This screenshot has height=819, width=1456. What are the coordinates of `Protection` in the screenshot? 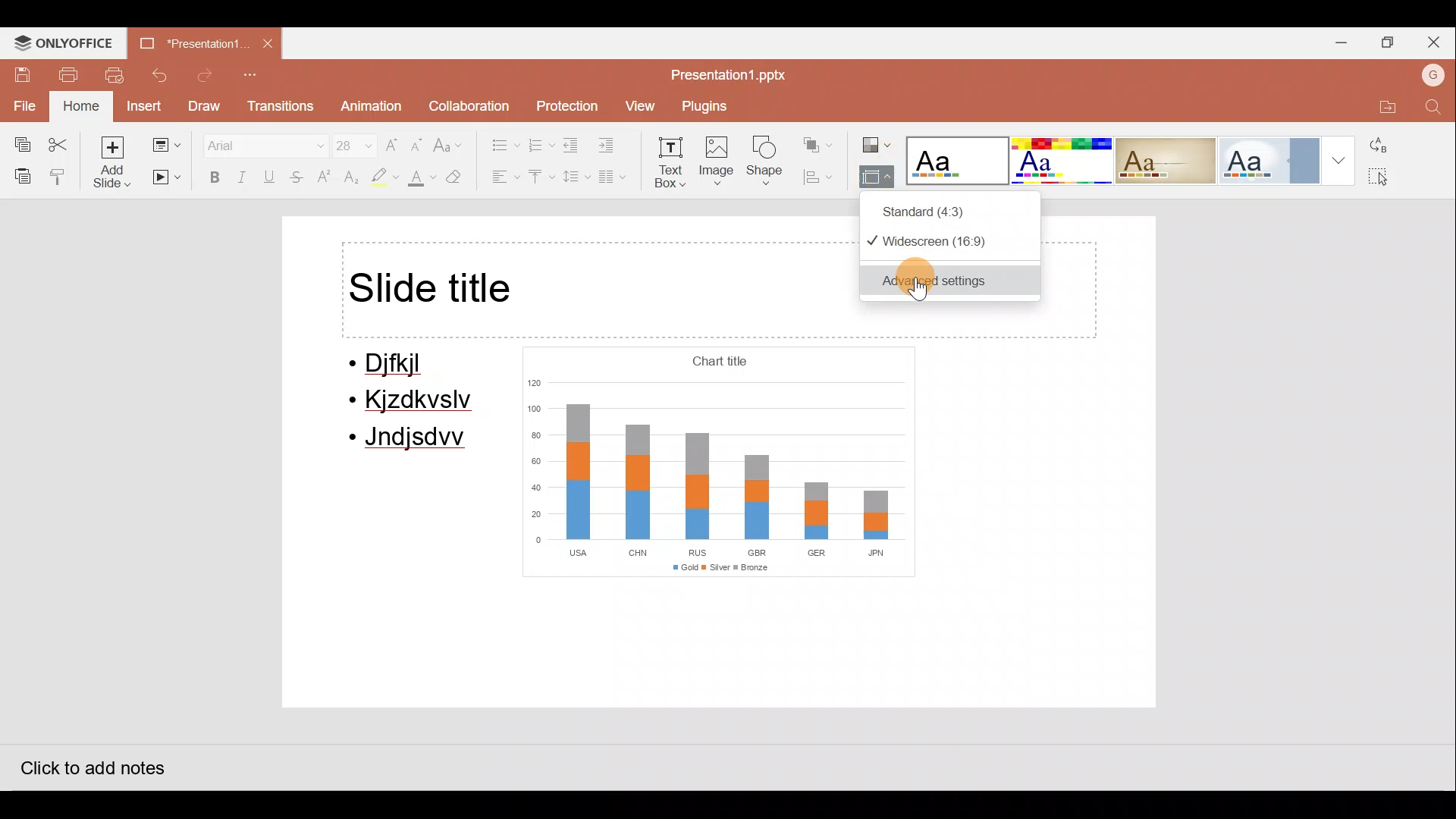 It's located at (564, 101).